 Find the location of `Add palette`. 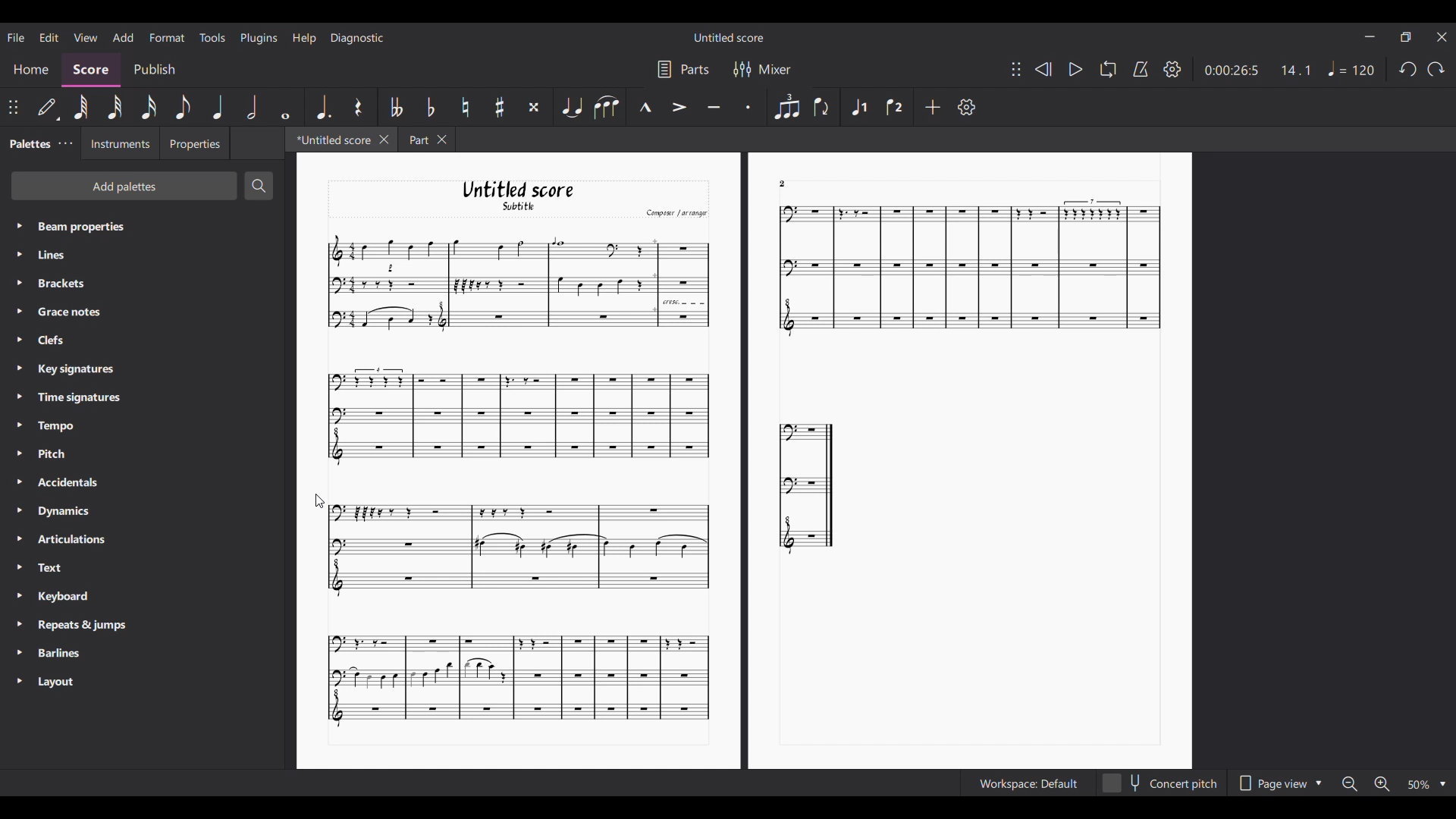

Add palette is located at coordinates (124, 186).